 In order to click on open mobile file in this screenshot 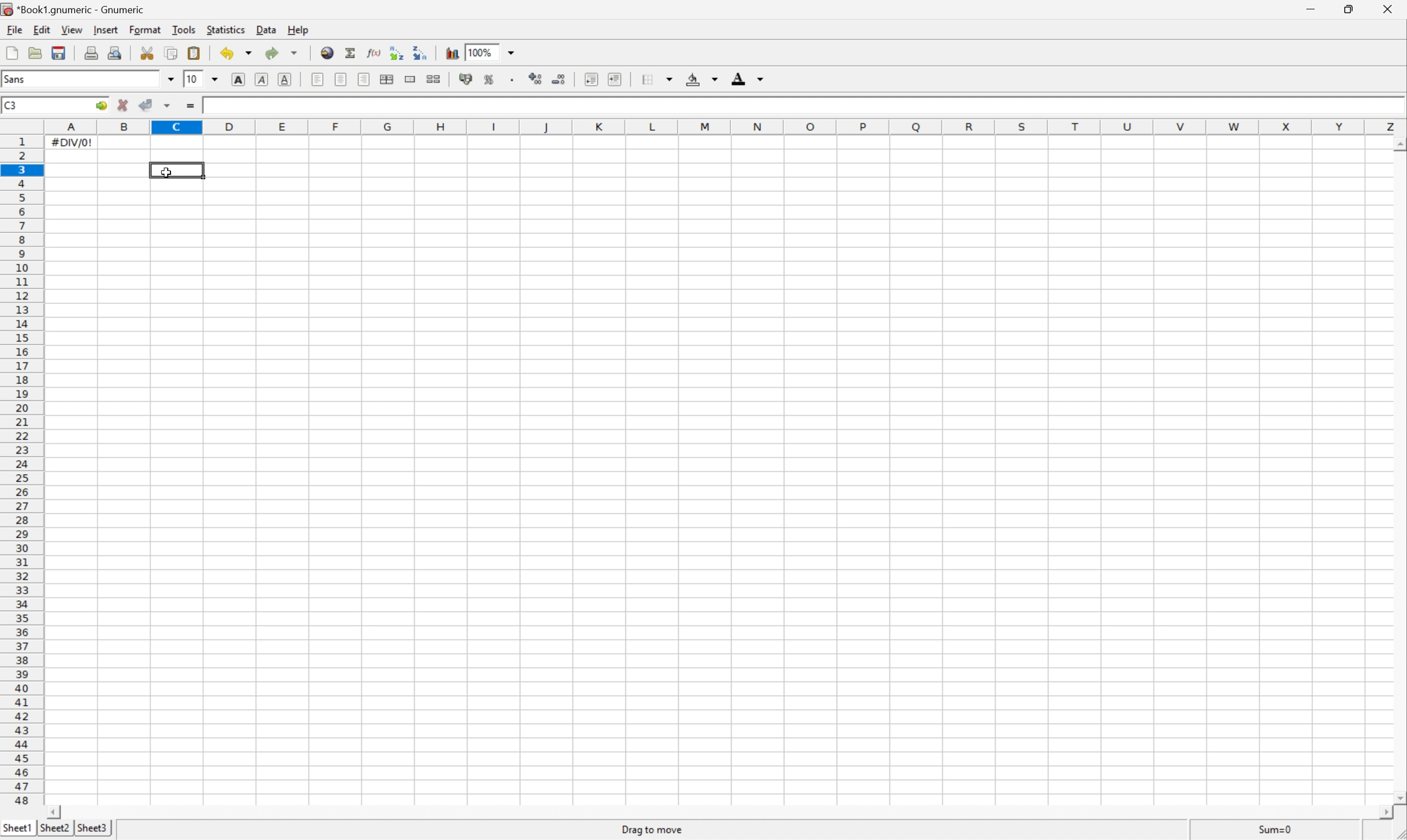, I will do `click(36, 53)`.